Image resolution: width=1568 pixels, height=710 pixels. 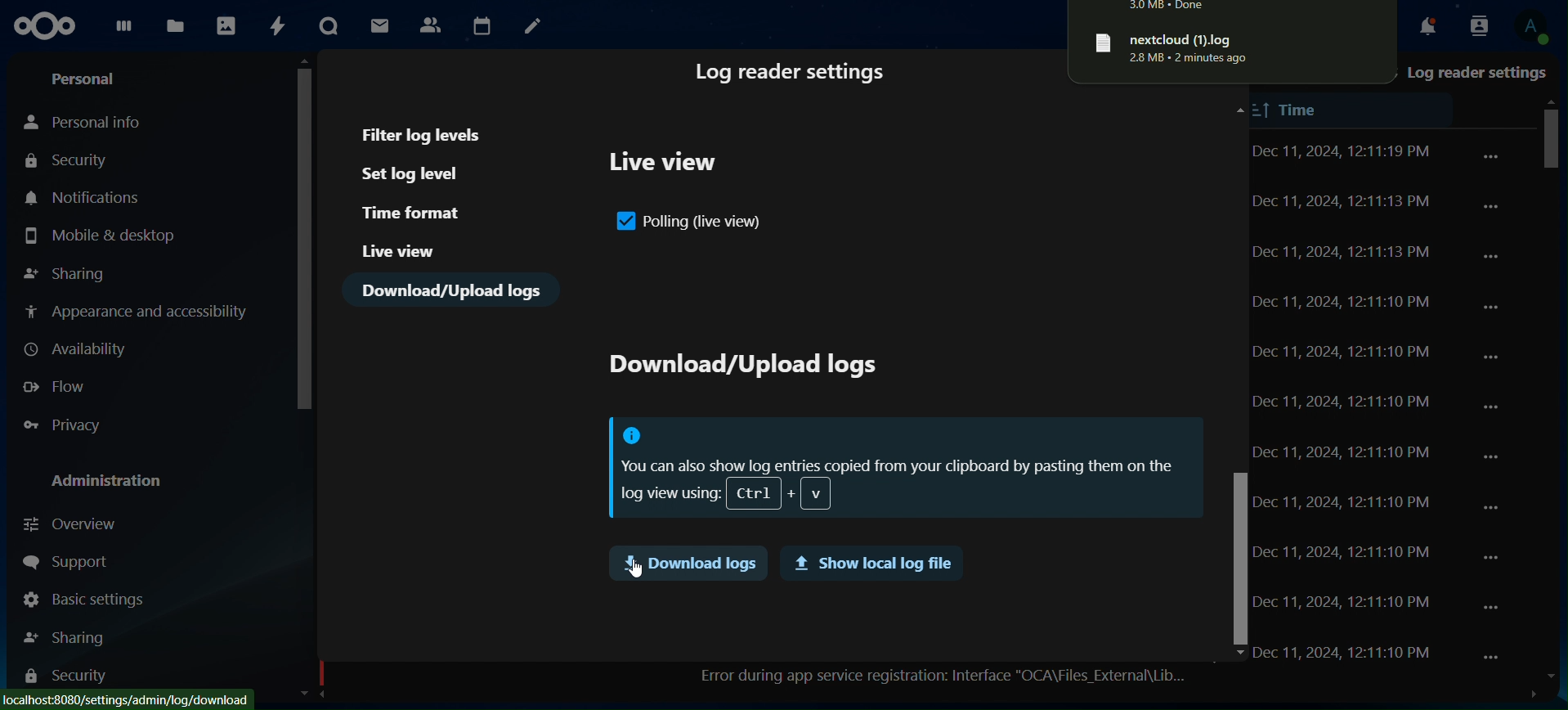 What do you see at coordinates (1494, 659) in the screenshot?
I see `...` at bounding box center [1494, 659].